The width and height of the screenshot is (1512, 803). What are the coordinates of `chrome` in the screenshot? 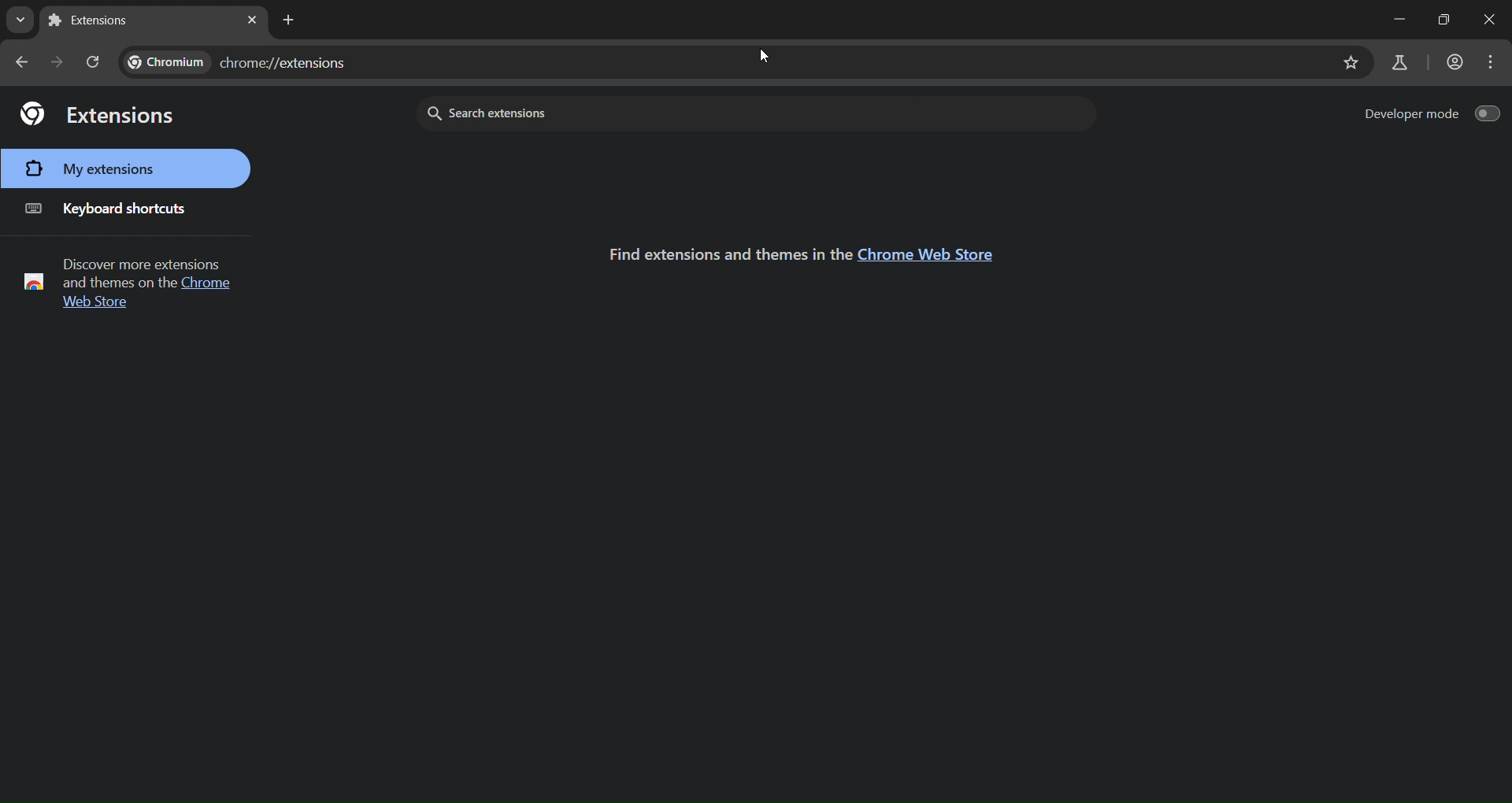 It's located at (212, 282).